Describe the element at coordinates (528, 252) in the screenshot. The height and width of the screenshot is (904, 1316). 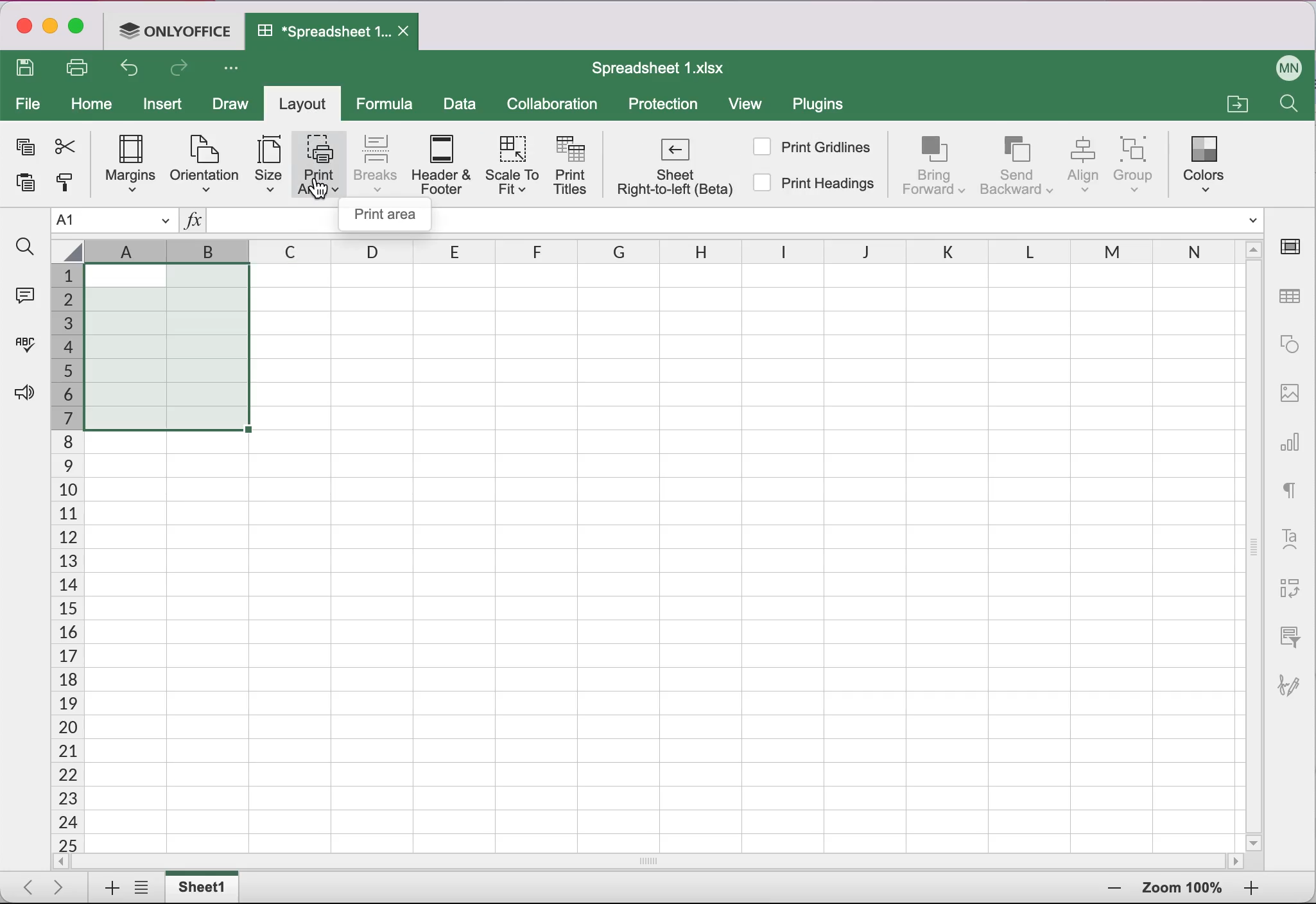
I see `columns` at that location.